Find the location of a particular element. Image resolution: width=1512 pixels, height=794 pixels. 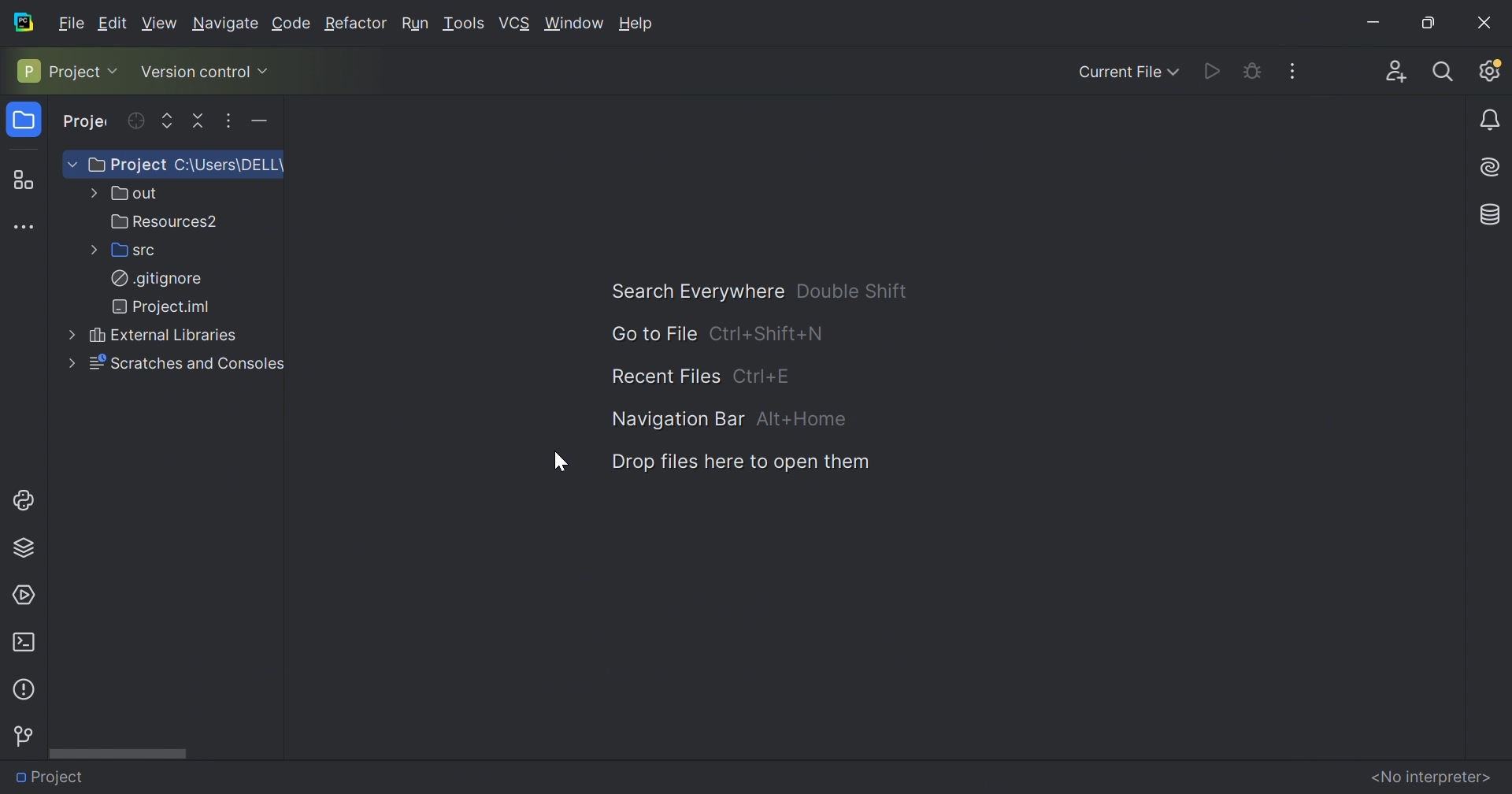

Python packages is located at coordinates (29, 546).